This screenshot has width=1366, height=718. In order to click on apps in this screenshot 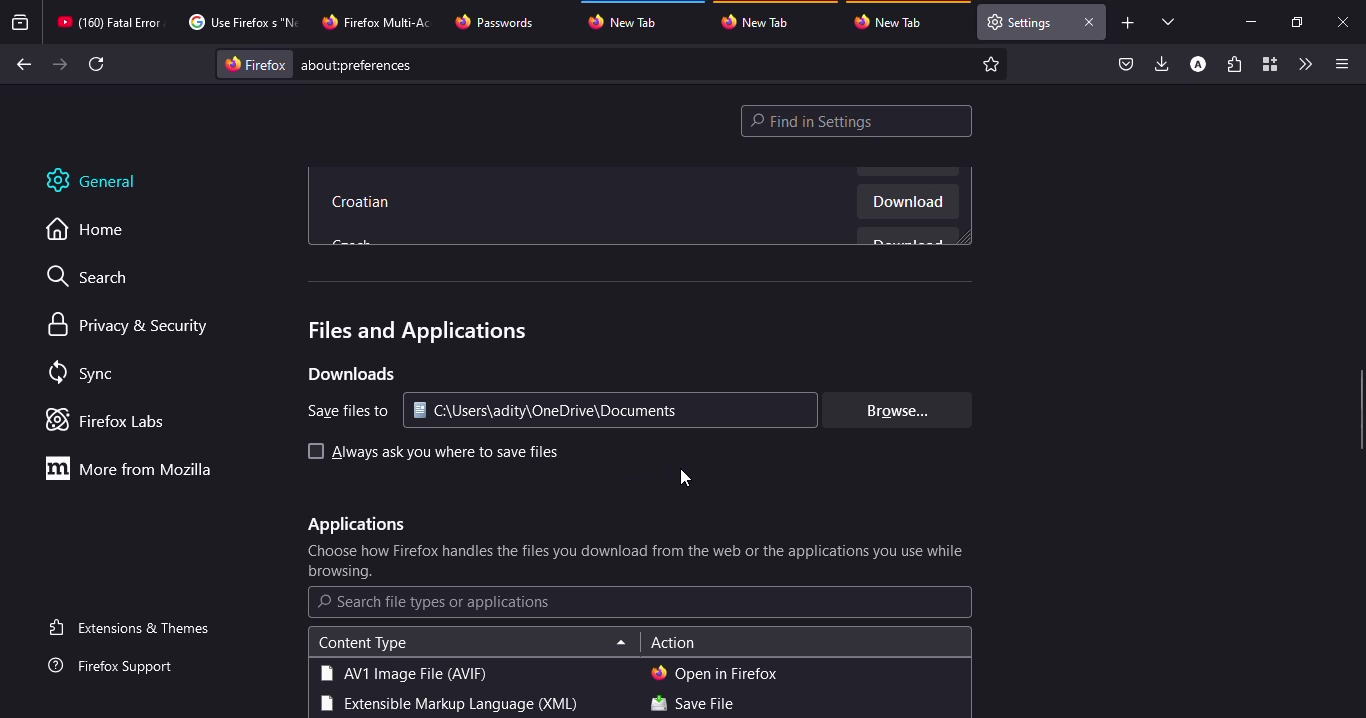, I will do `click(354, 525)`.